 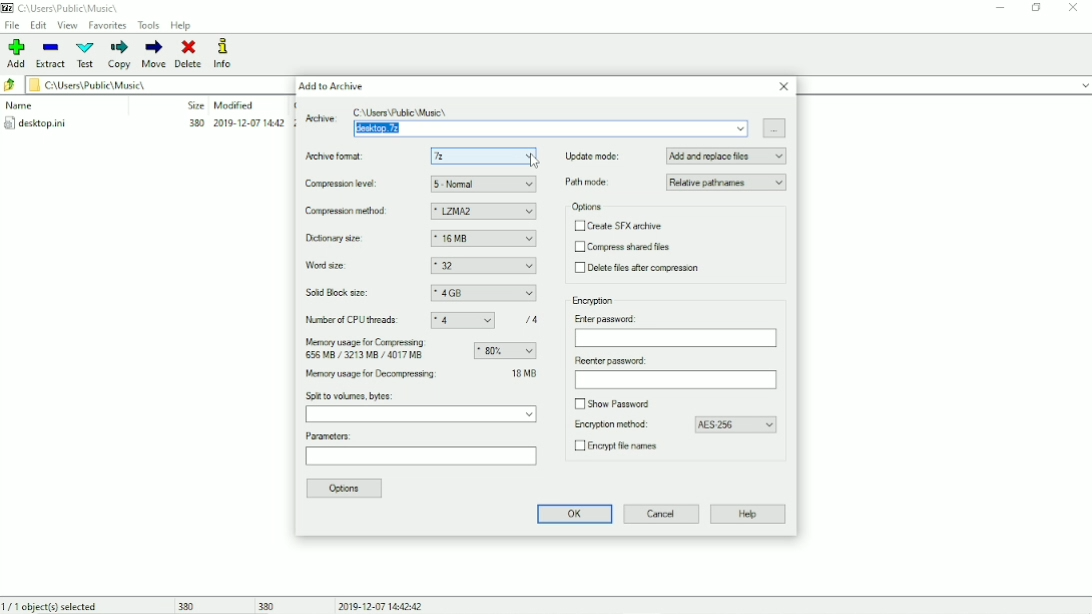 What do you see at coordinates (662, 513) in the screenshot?
I see `Cancel` at bounding box center [662, 513].